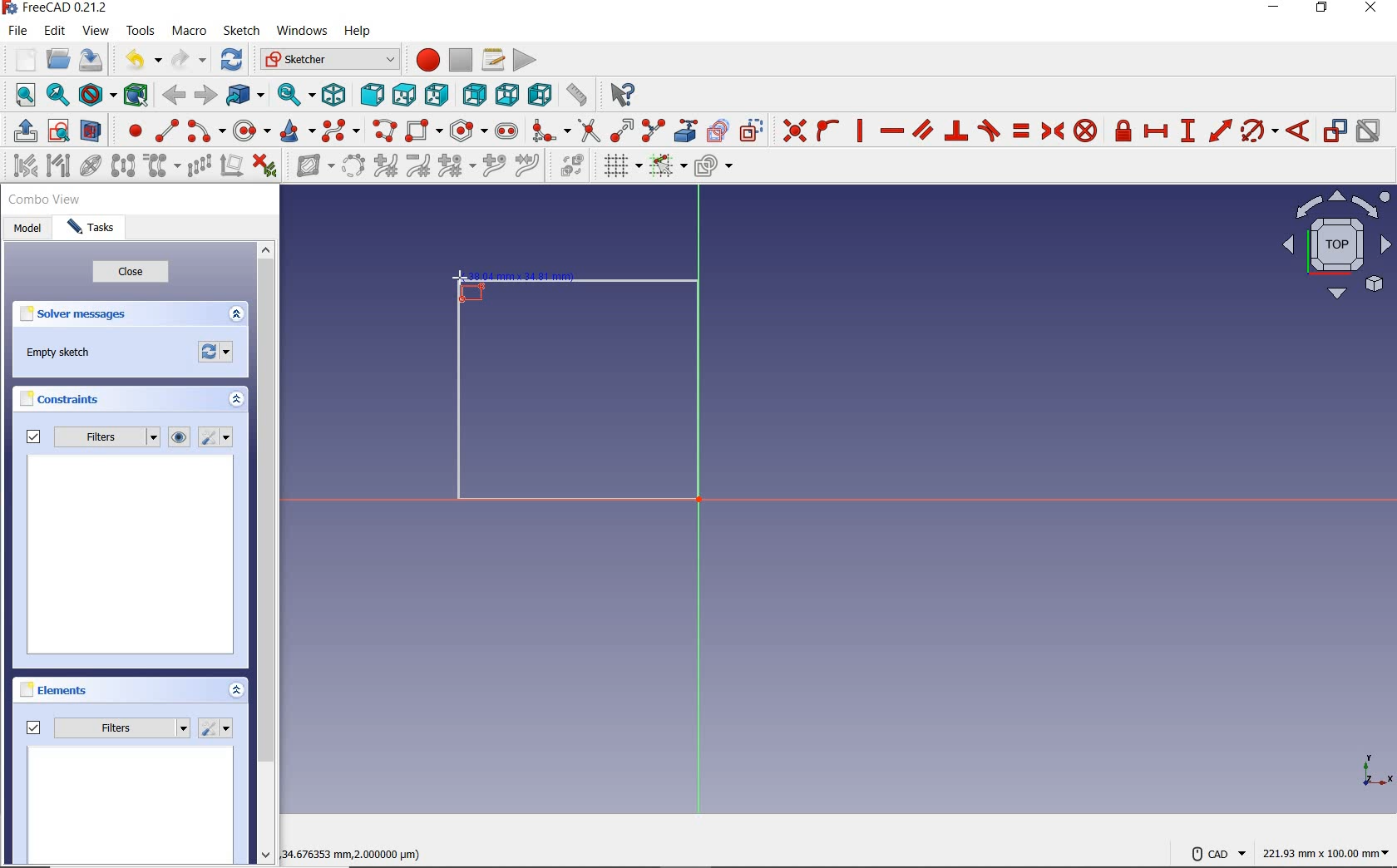  What do you see at coordinates (529, 168) in the screenshot?
I see `join curves` at bounding box center [529, 168].